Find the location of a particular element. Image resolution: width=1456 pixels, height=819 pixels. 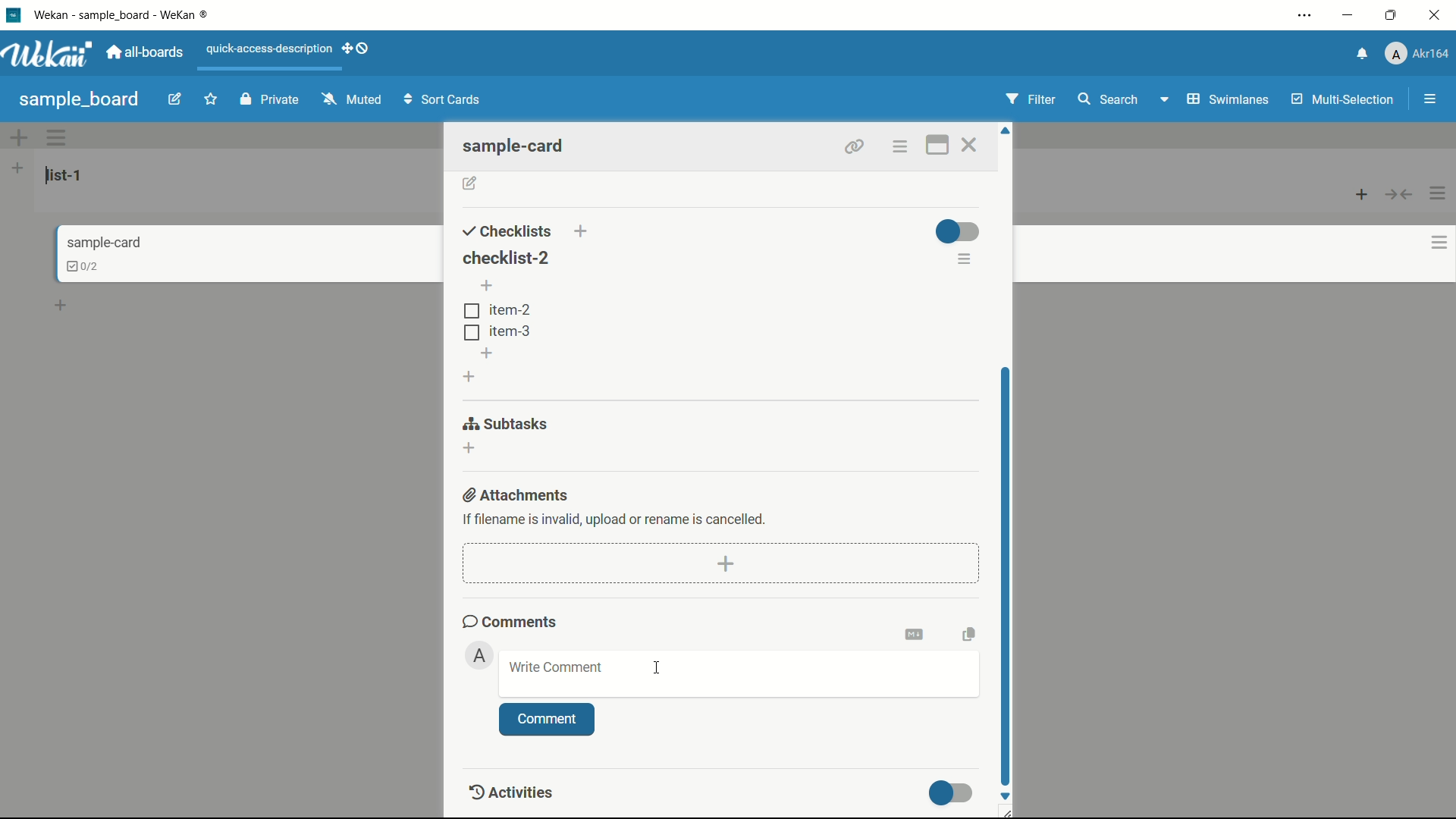

settings and more is located at coordinates (1304, 14).